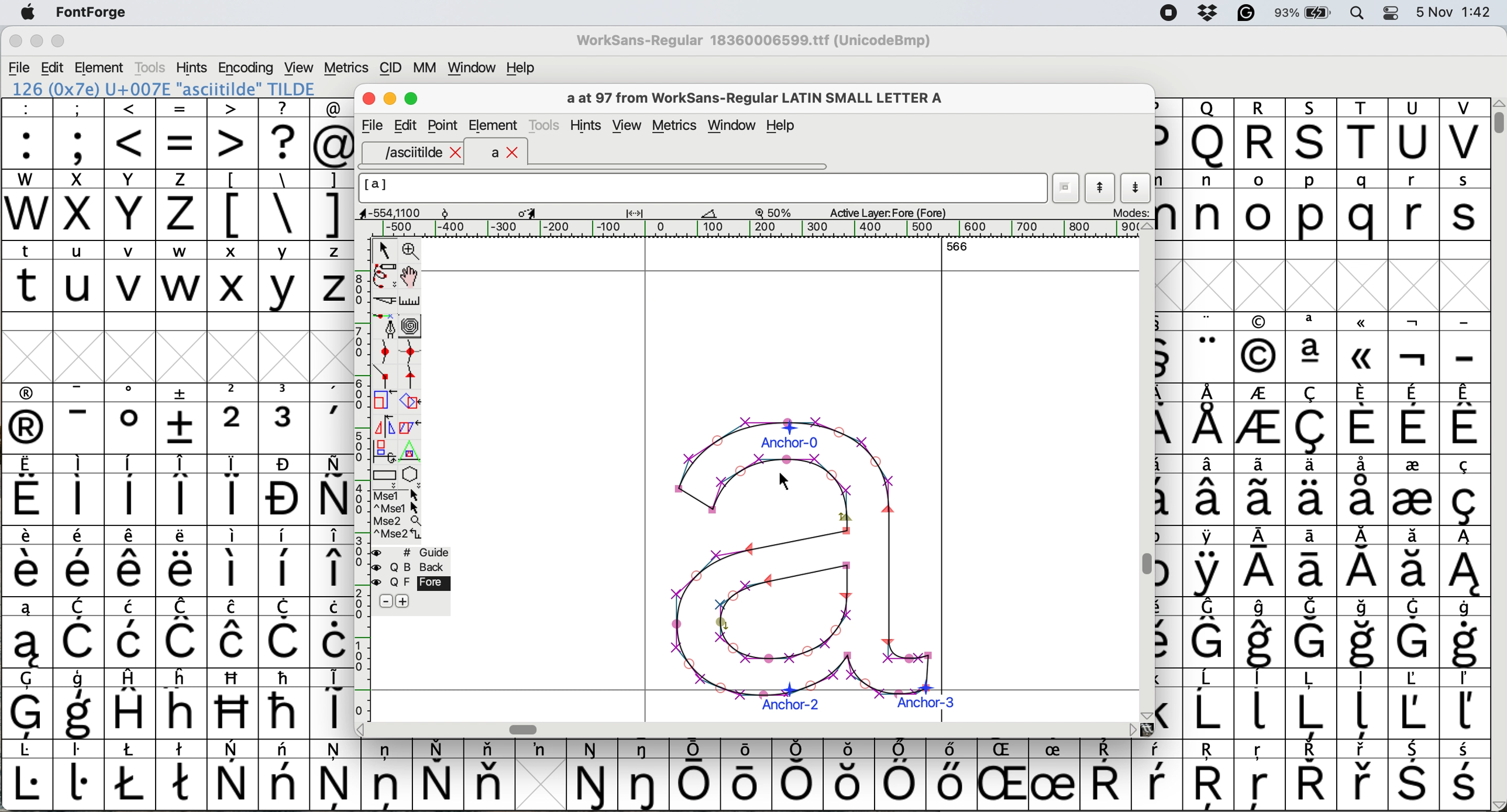  What do you see at coordinates (1259, 348) in the screenshot?
I see `` at bounding box center [1259, 348].